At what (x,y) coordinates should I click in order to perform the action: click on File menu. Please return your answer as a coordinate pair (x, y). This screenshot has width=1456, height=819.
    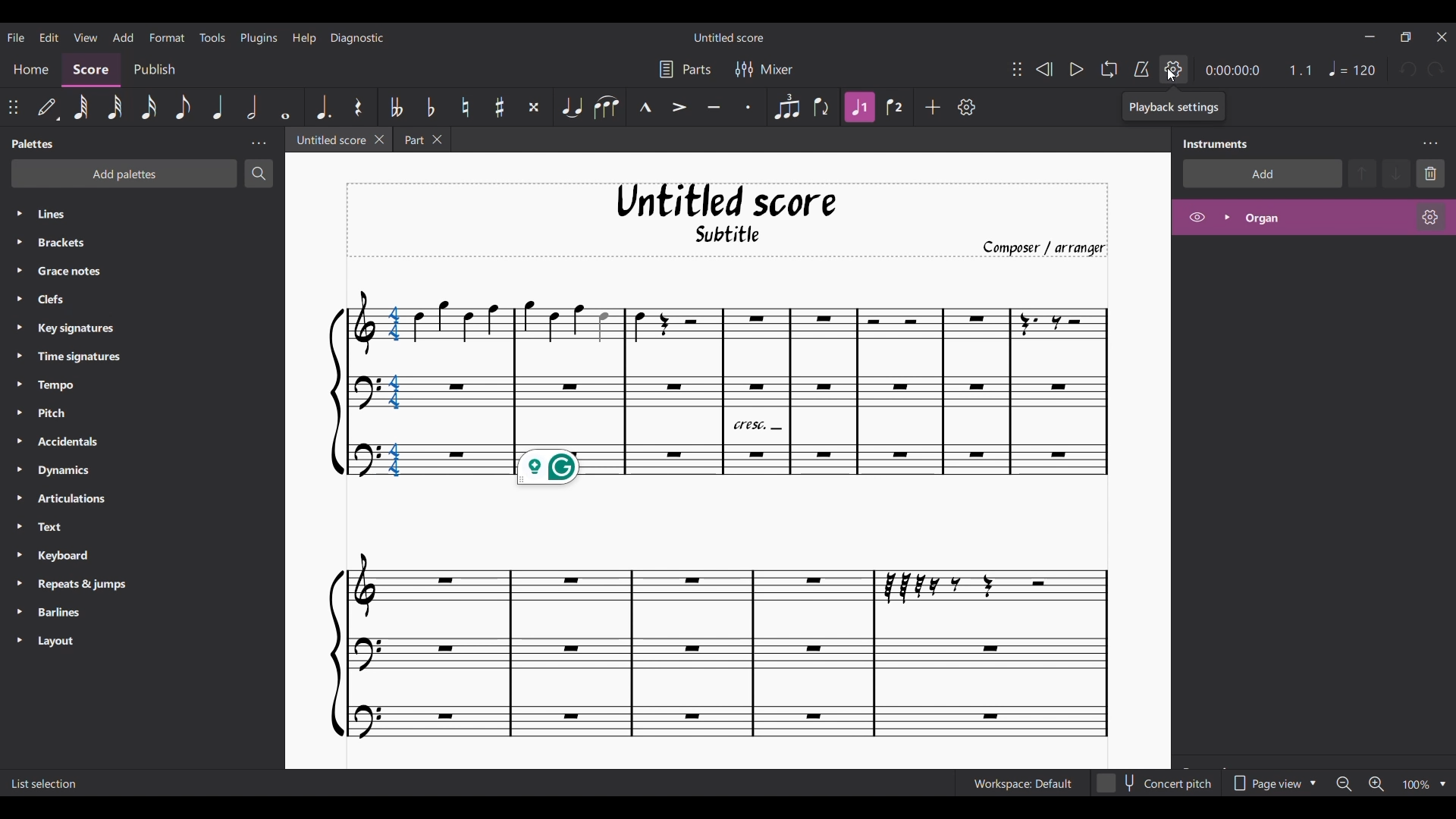
    Looking at the image, I should click on (15, 38).